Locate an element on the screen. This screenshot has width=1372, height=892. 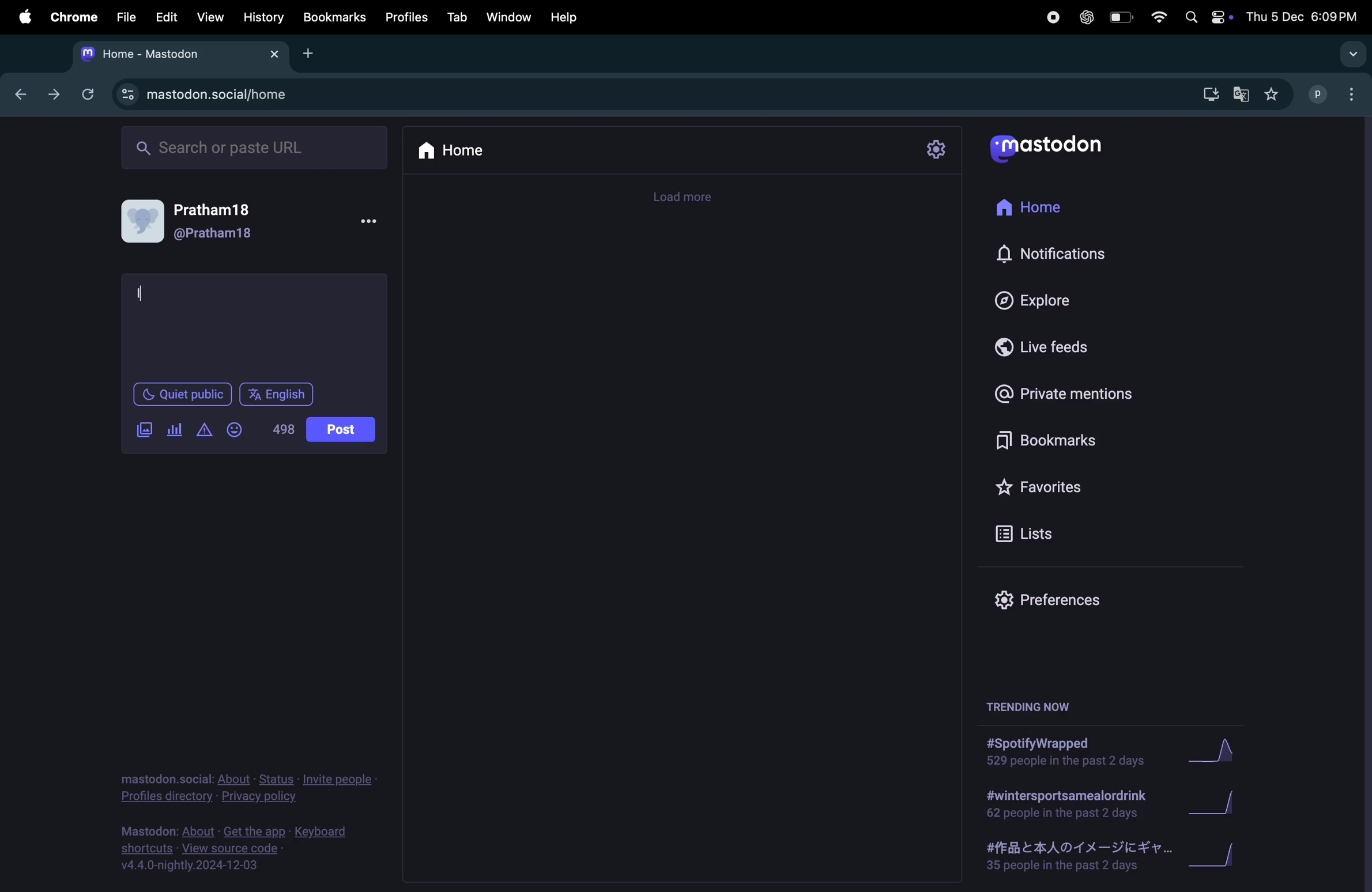
view is located at coordinates (208, 17).